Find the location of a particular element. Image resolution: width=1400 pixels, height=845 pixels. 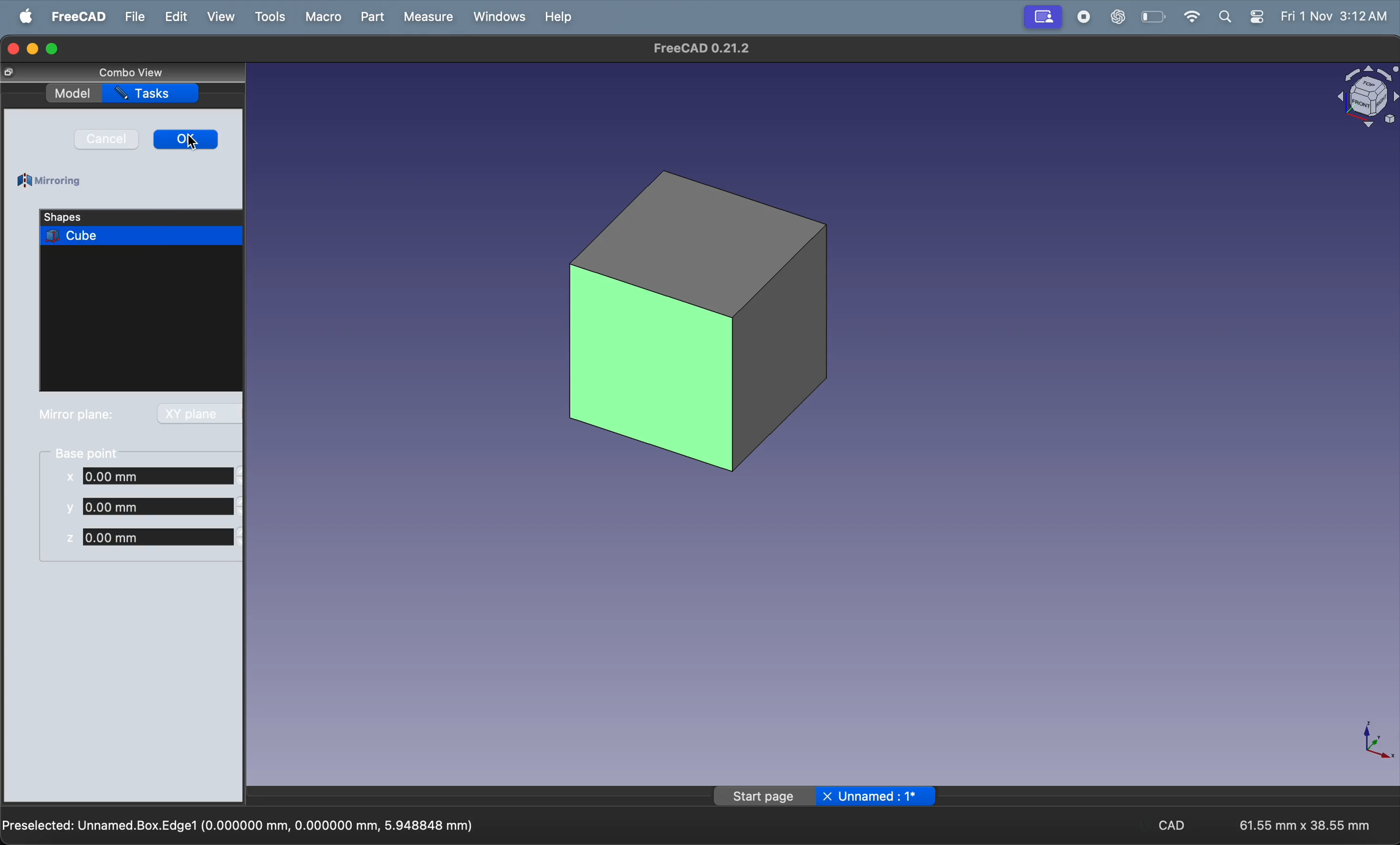

okay is located at coordinates (187, 140).